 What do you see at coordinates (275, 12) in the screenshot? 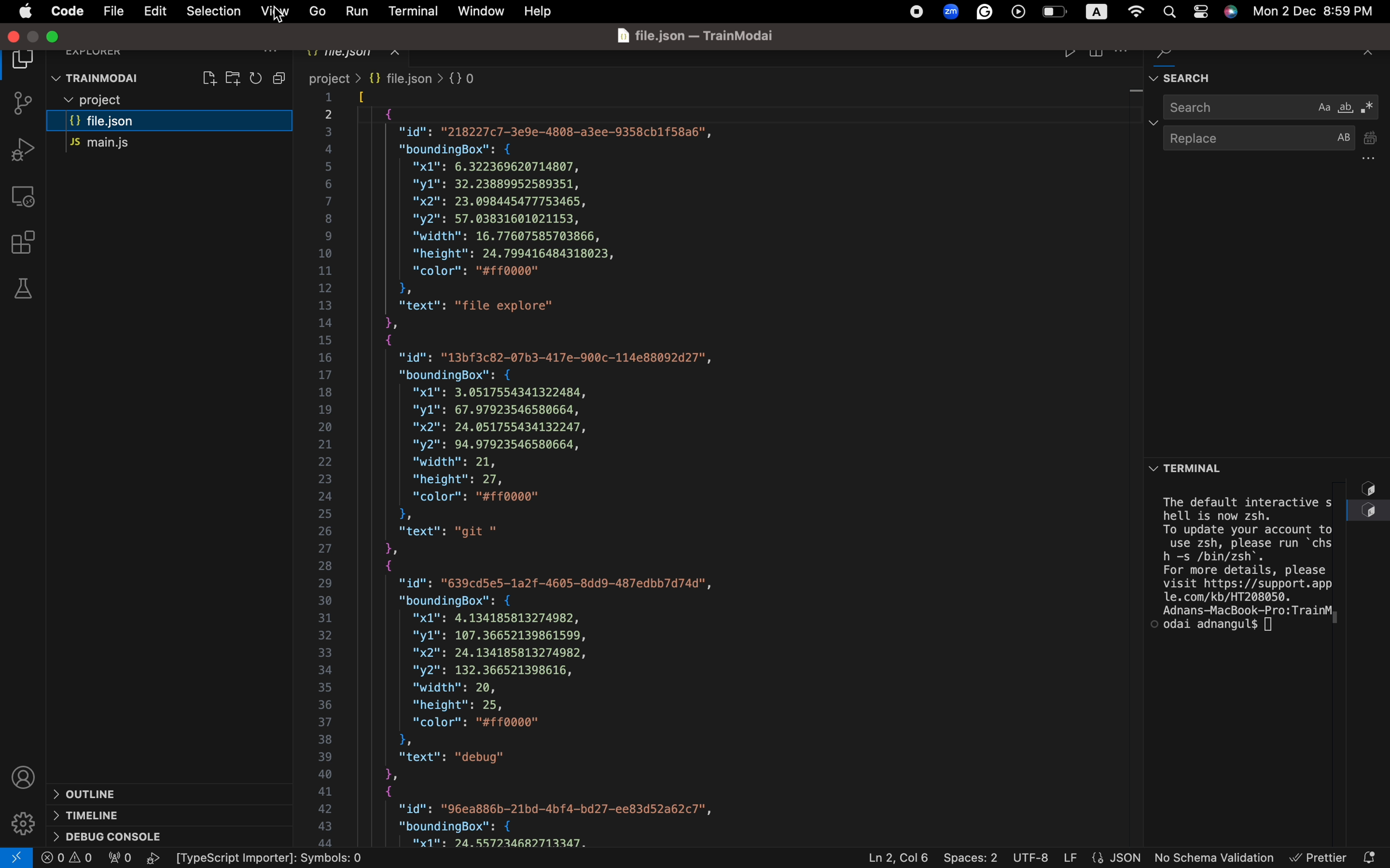
I see `view` at bounding box center [275, 12].